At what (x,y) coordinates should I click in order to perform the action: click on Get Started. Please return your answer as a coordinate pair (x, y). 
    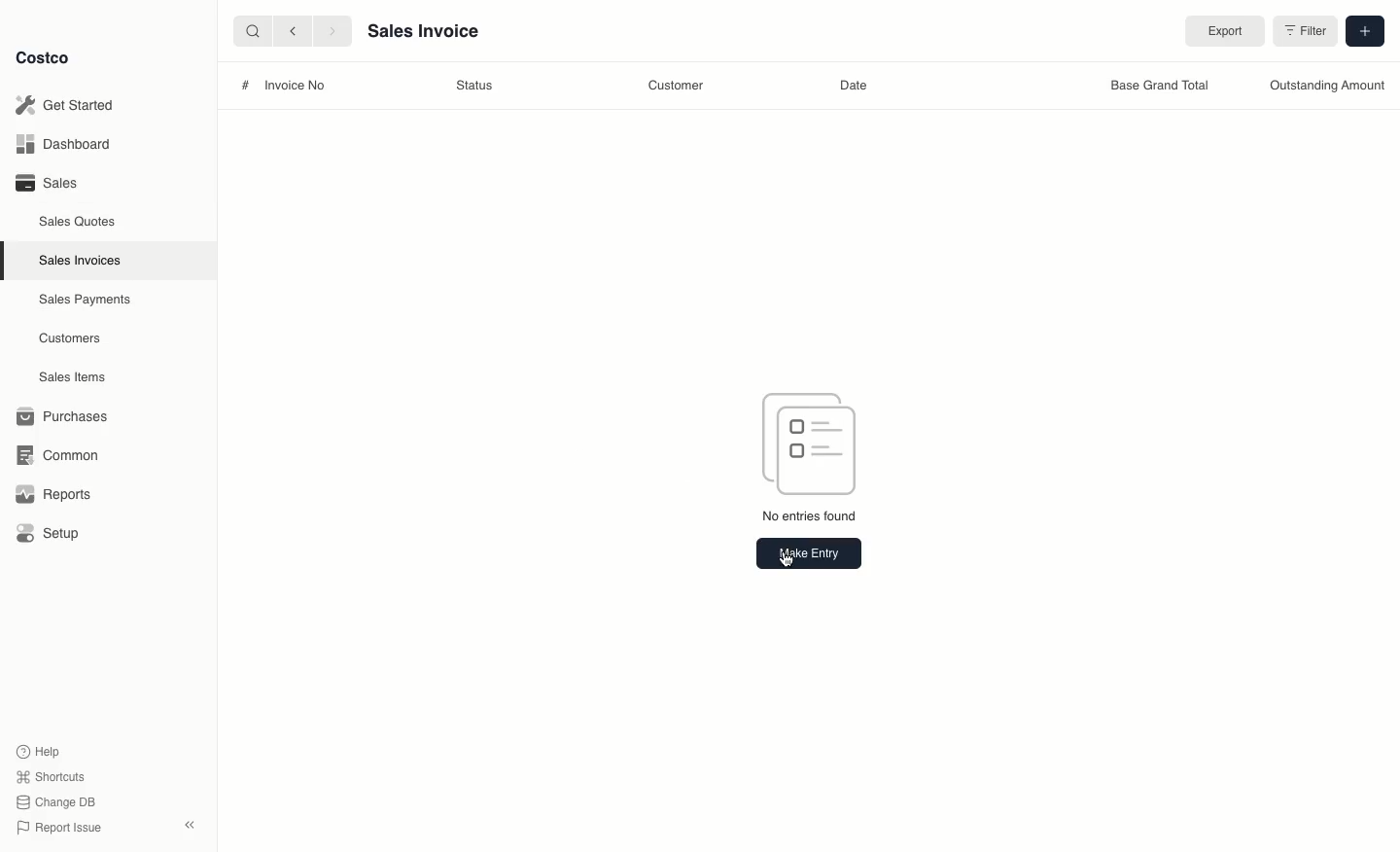
    Looking at the image, I should click on (68, 105).